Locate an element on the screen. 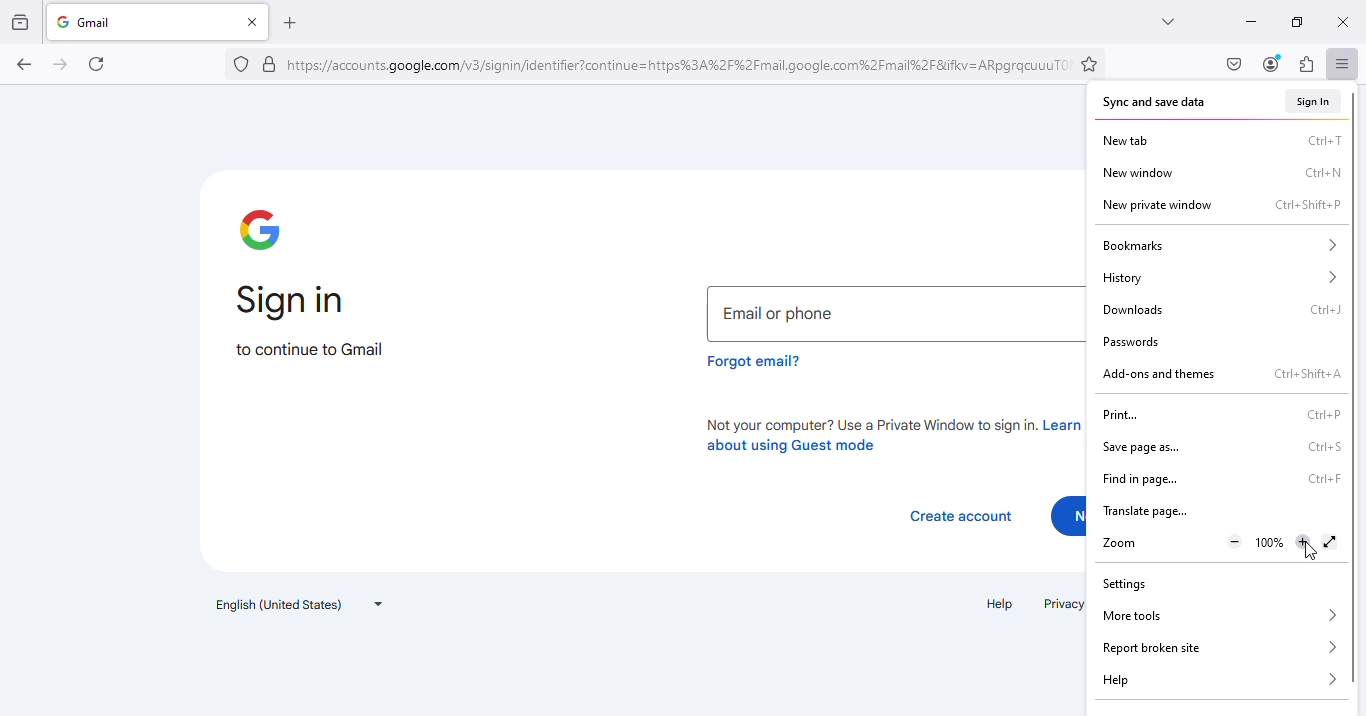  shortcut for new tab is located at coordinates (1323, 139).